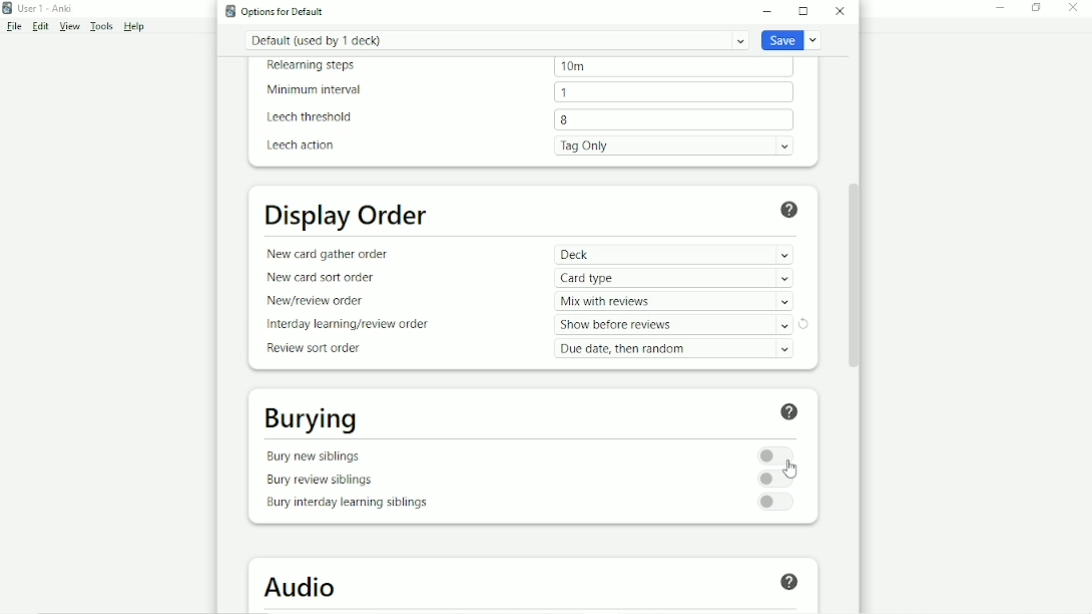 This screenshot has height=614, width=1092. Describe the element at coordinates (1037, 8) in the screenshot. I see `Restore down` at that location.